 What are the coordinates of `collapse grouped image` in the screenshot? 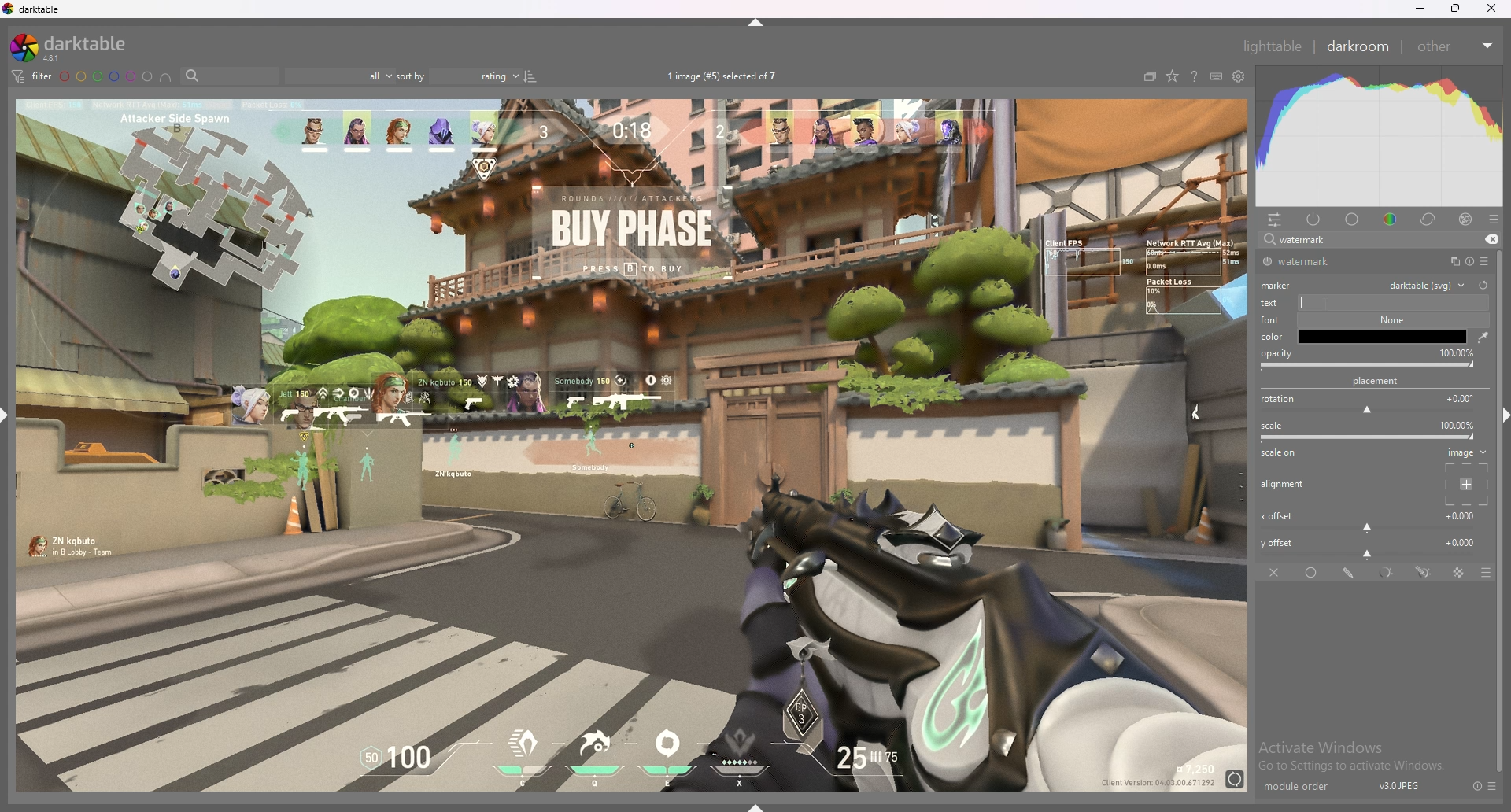 It's located at (1150, 76).